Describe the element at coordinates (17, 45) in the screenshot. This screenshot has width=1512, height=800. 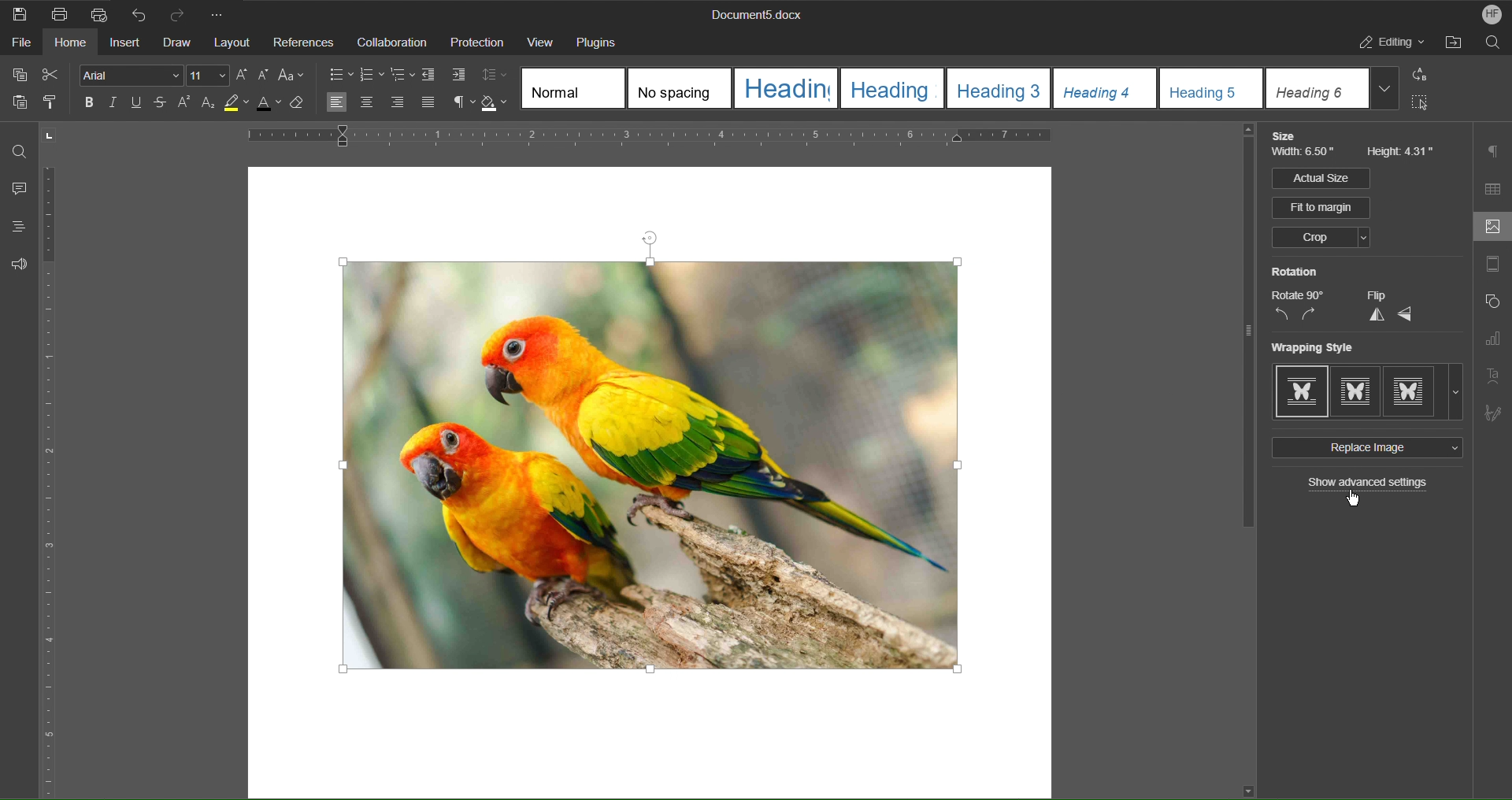
I see `File` at that location.